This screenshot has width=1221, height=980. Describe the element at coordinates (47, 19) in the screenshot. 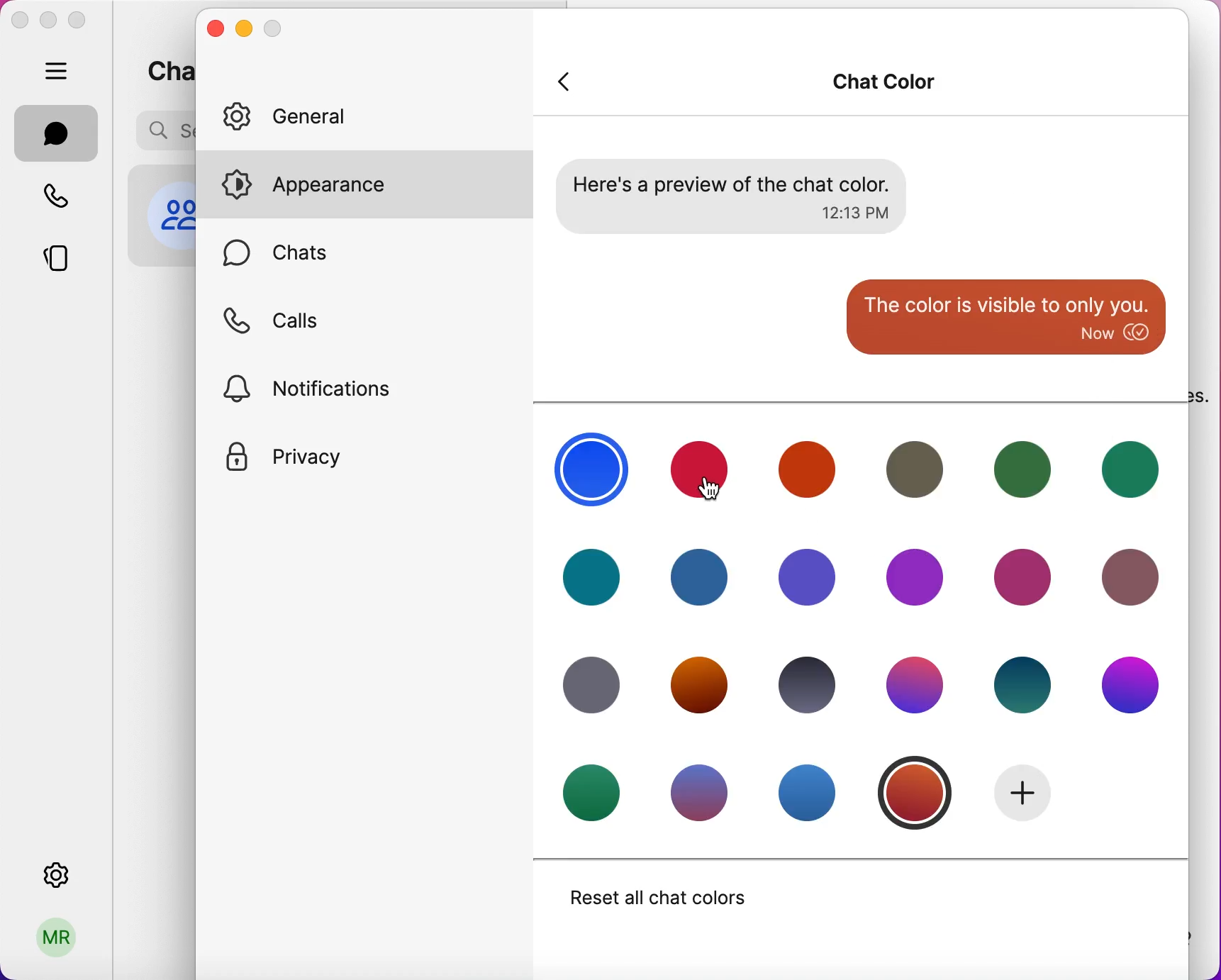

I see `minimize` at that location.